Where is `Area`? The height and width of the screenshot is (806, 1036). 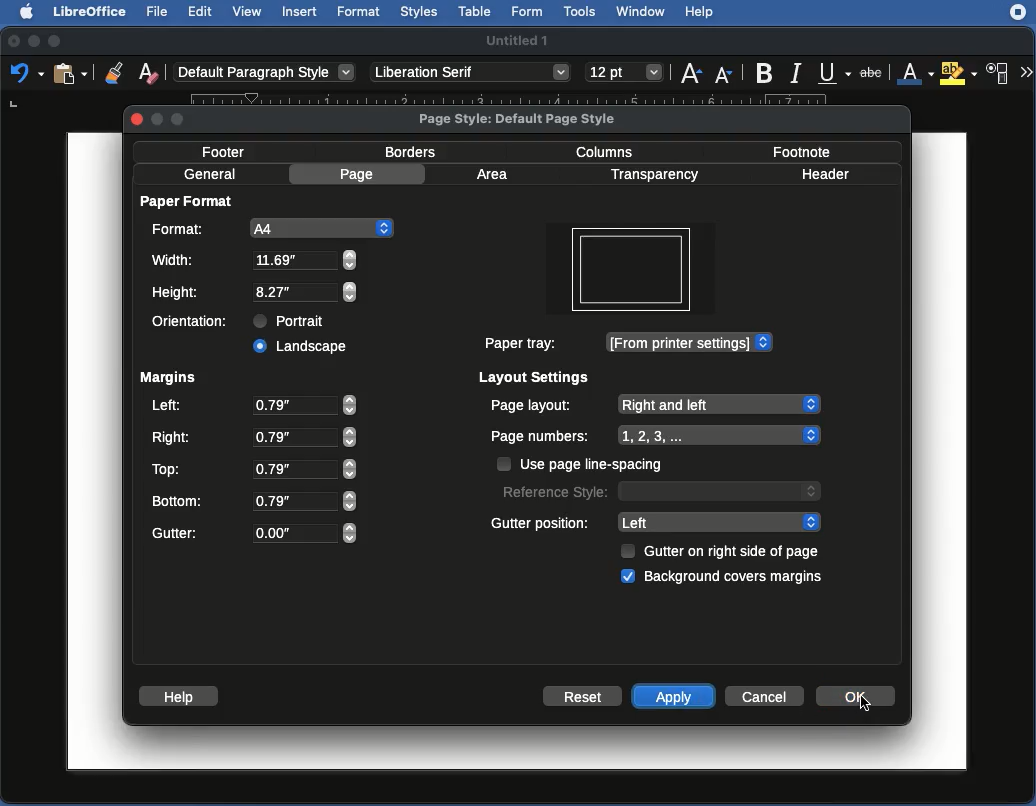 Area is located at coordinates (496, 174).